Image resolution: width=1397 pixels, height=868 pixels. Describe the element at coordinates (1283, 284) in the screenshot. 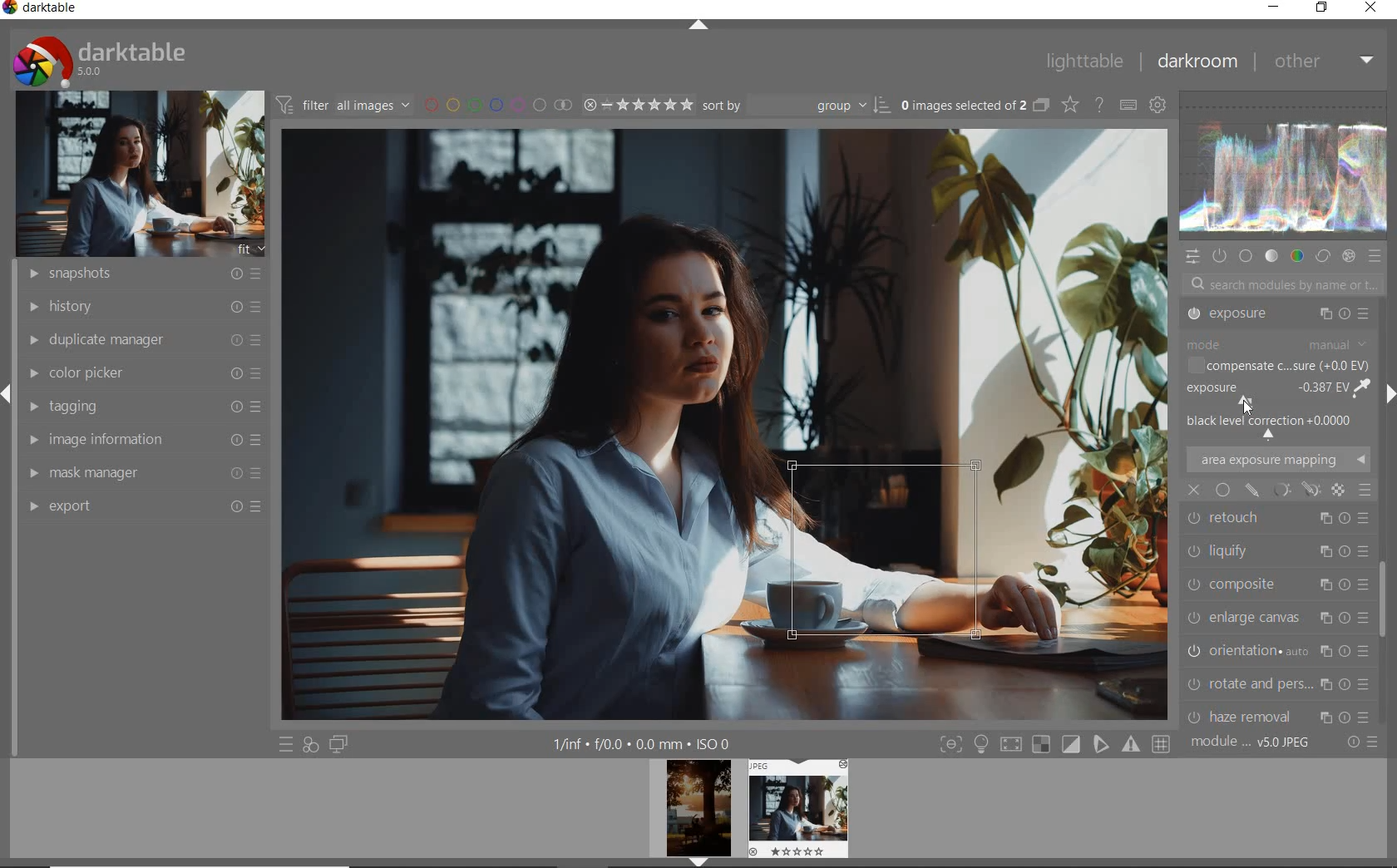

I see `SEARCH MODULES` at that location.